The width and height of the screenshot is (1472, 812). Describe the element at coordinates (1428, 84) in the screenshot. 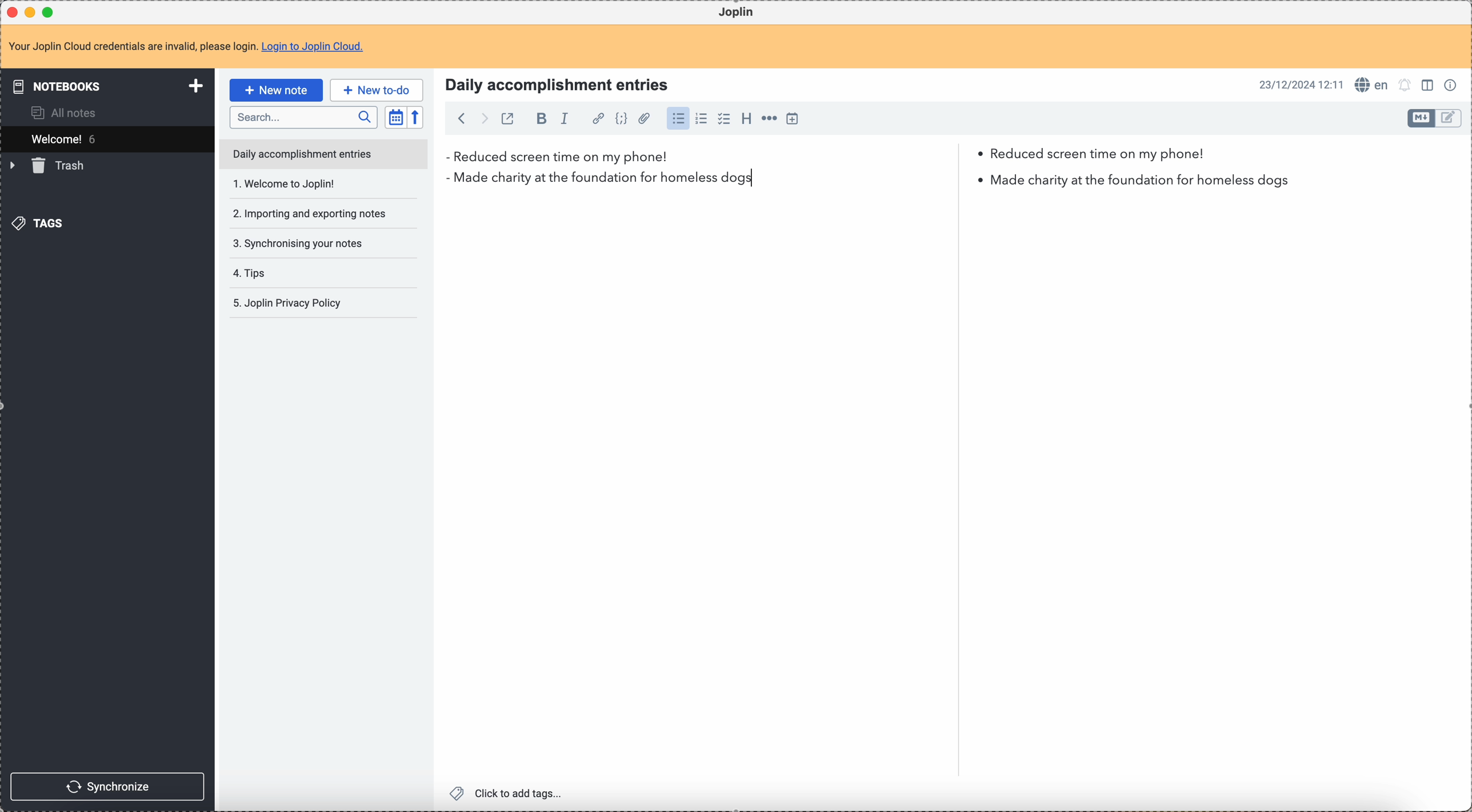

I see `toggle edit layout` at that location.